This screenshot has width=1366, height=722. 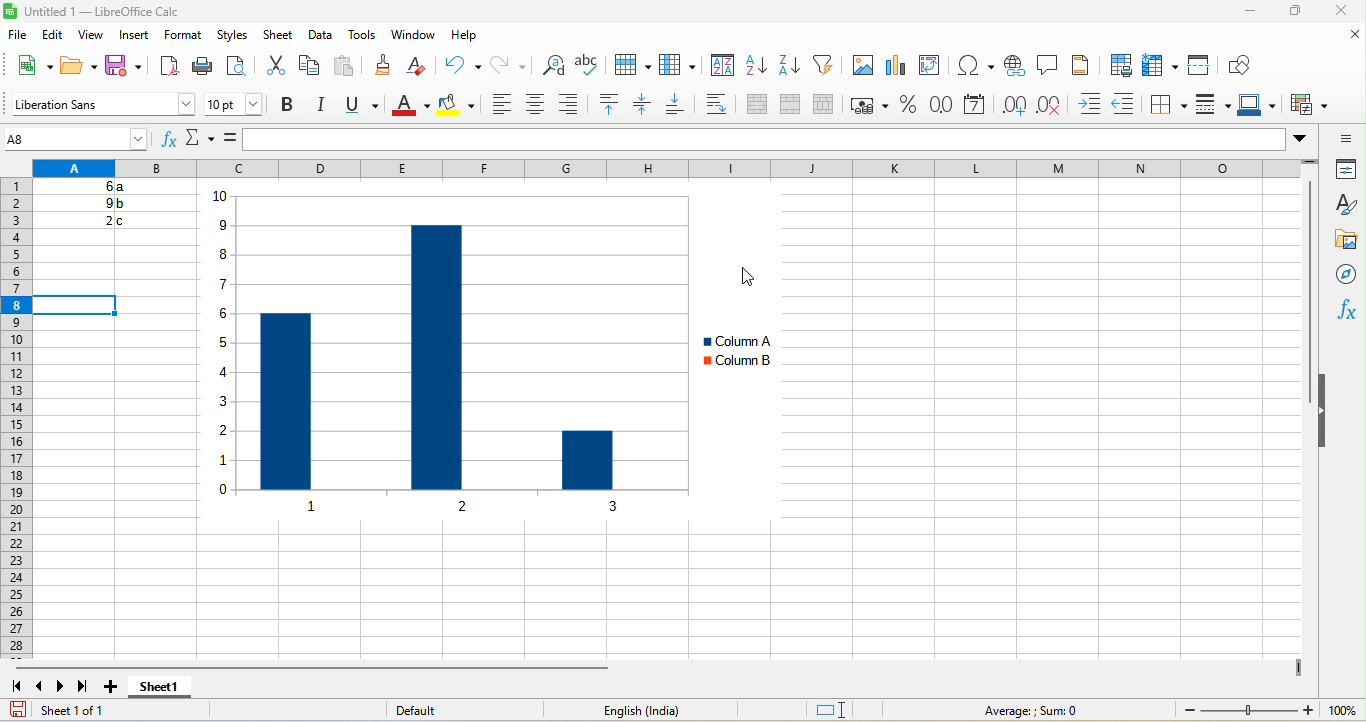 I want to click on chart, so click(x=899, y=67).